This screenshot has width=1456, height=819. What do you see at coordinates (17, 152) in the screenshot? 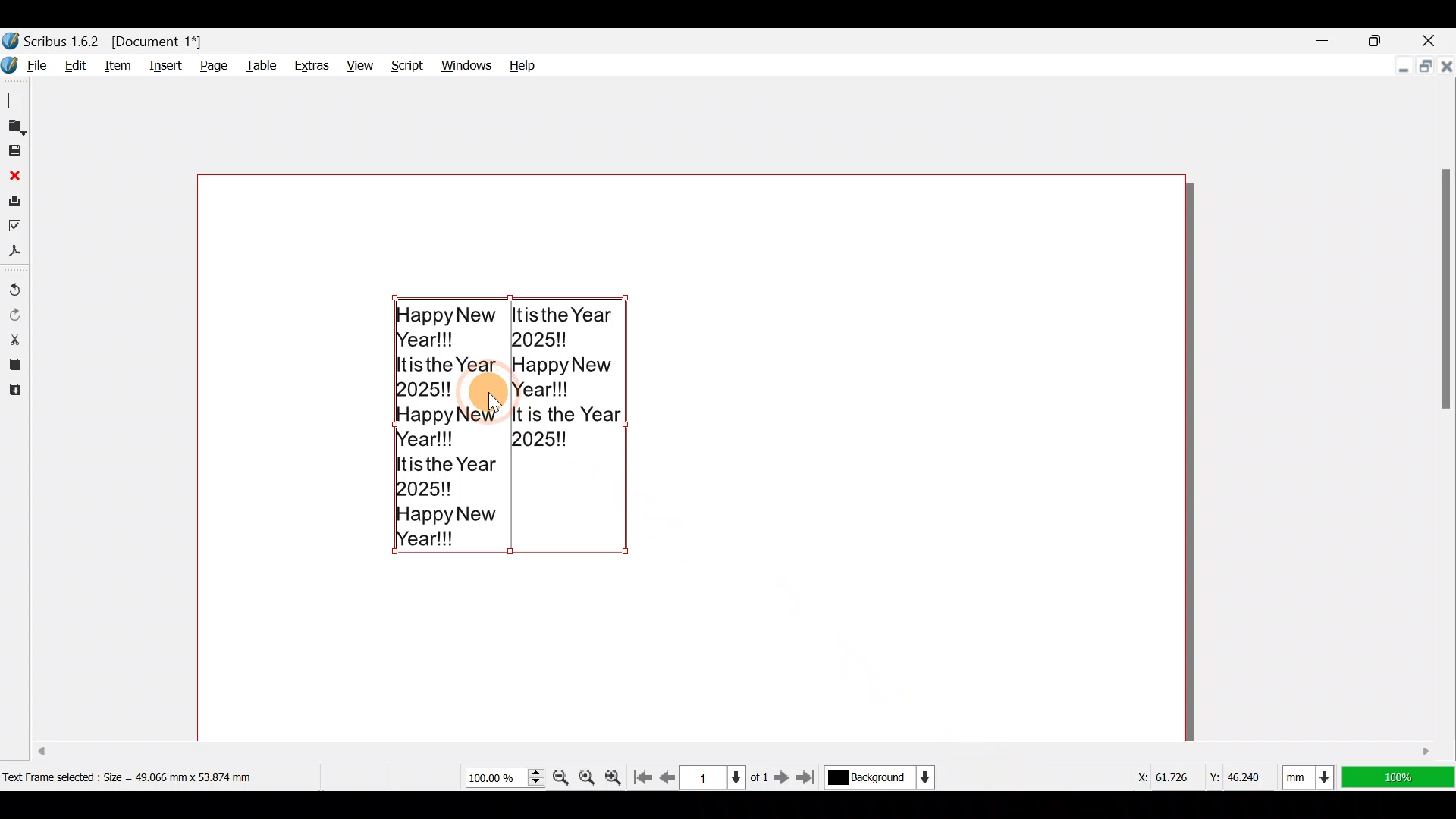
I see `Save` at bounding box center [17, 152].